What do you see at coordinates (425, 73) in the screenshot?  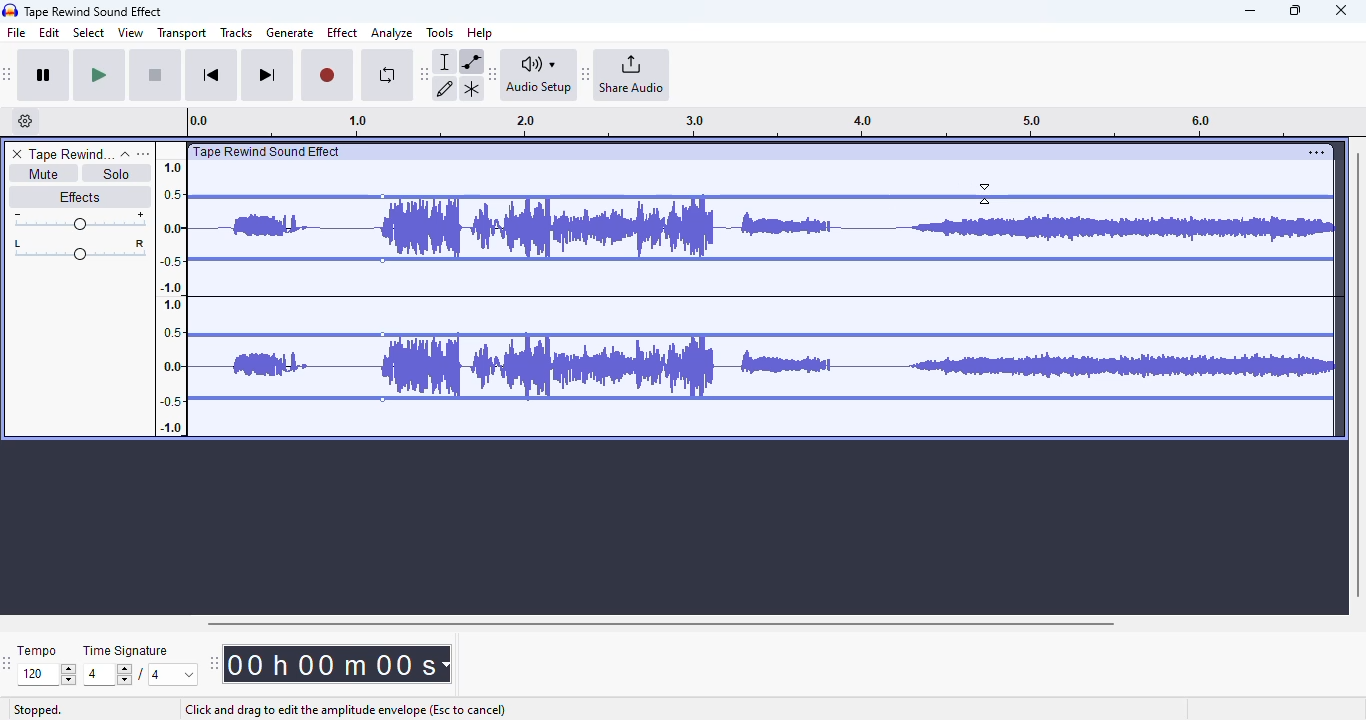 I see `Move audacity tools toolbar` at bounding box center [425, 73].